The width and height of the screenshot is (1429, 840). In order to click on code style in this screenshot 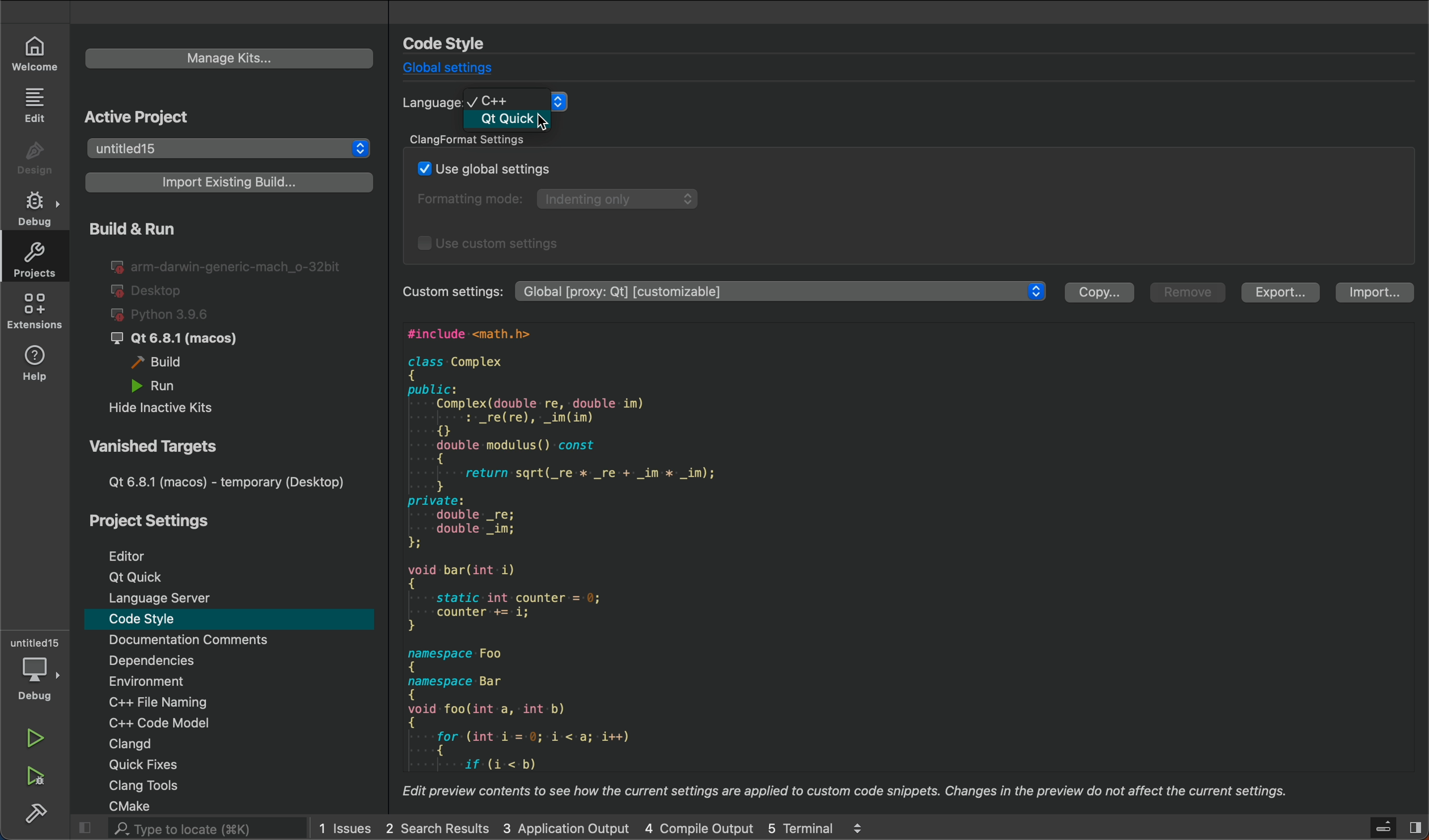, I will do `click(456, 43)`.